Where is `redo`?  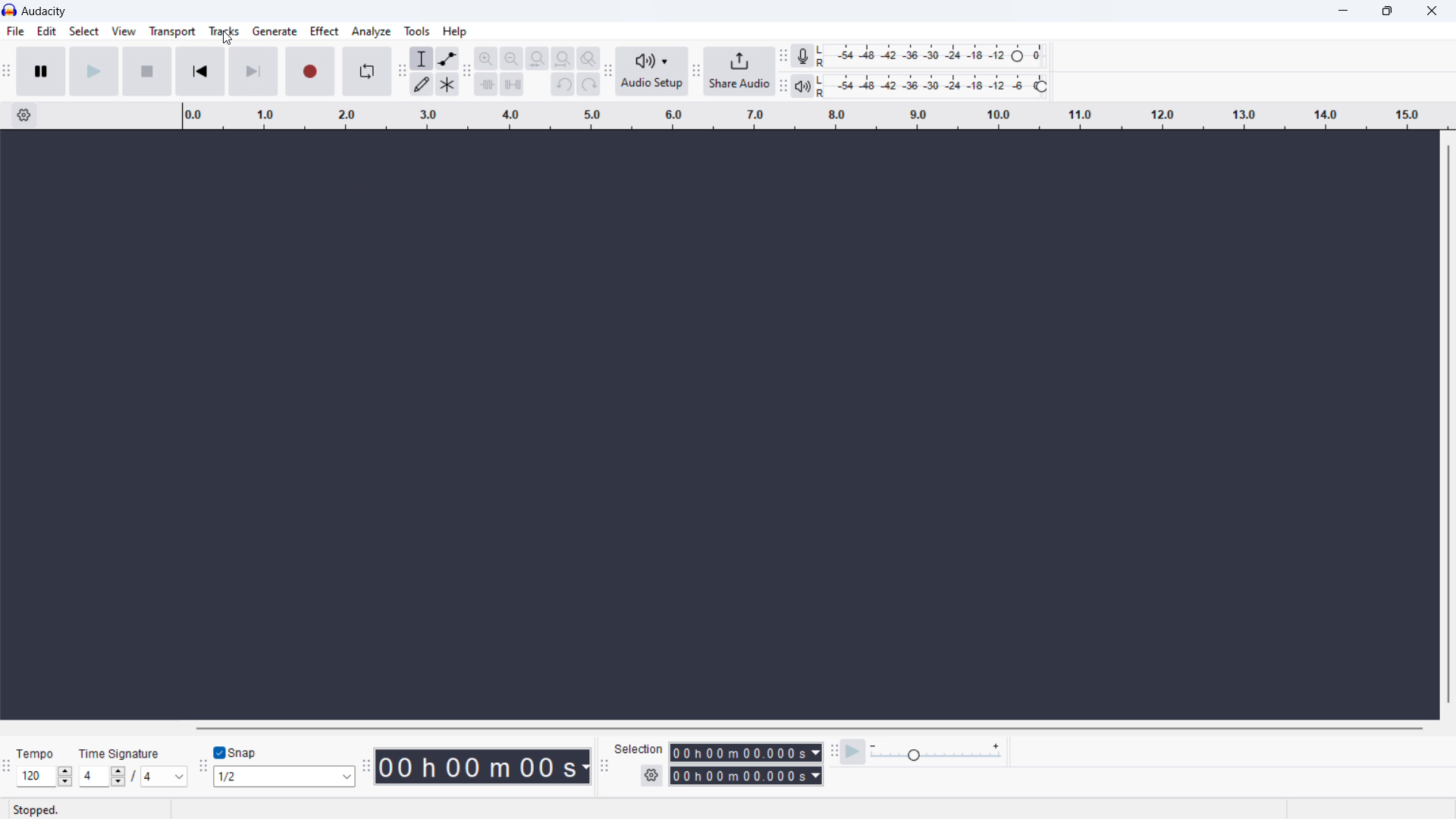
redo is located at coordinates (588, 84).